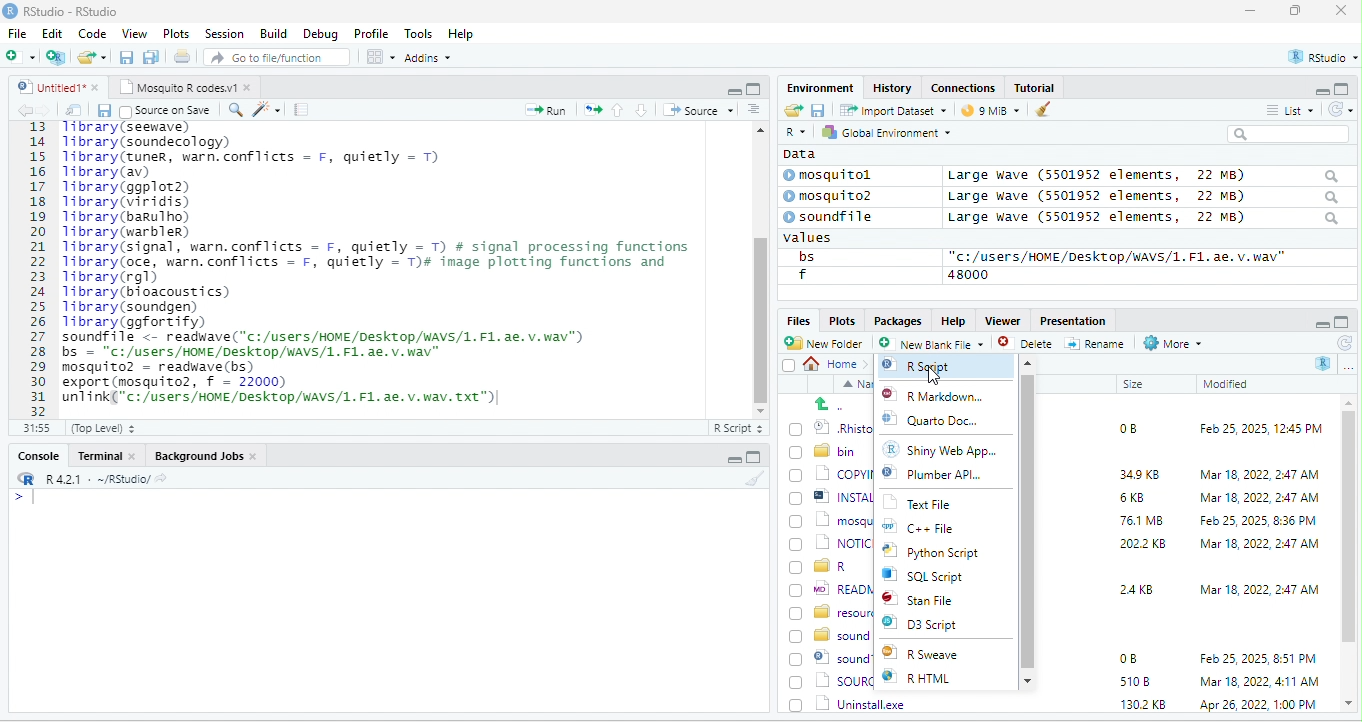 The width and height of the screenshot is (1362, 722). What do you see at coordinates (831, 635) in the screenshot?
I see `8 sound analysis` at bounding box center [831, 635].